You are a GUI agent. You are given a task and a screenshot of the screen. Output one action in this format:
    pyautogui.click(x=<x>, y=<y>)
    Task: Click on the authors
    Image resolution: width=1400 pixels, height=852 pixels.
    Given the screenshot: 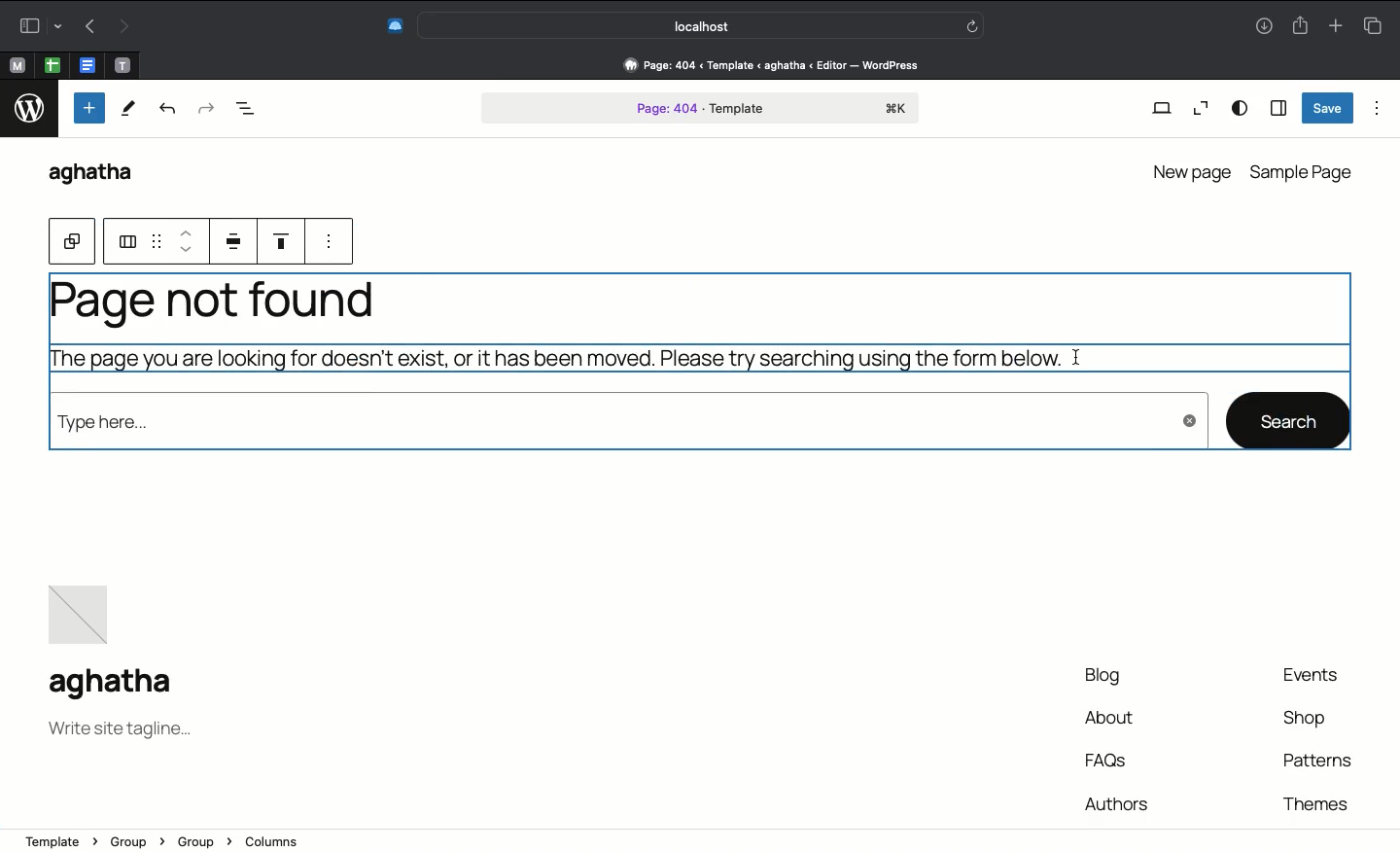 What is the action you would take?
    pyautogui.click(x=1116, y=800)
    